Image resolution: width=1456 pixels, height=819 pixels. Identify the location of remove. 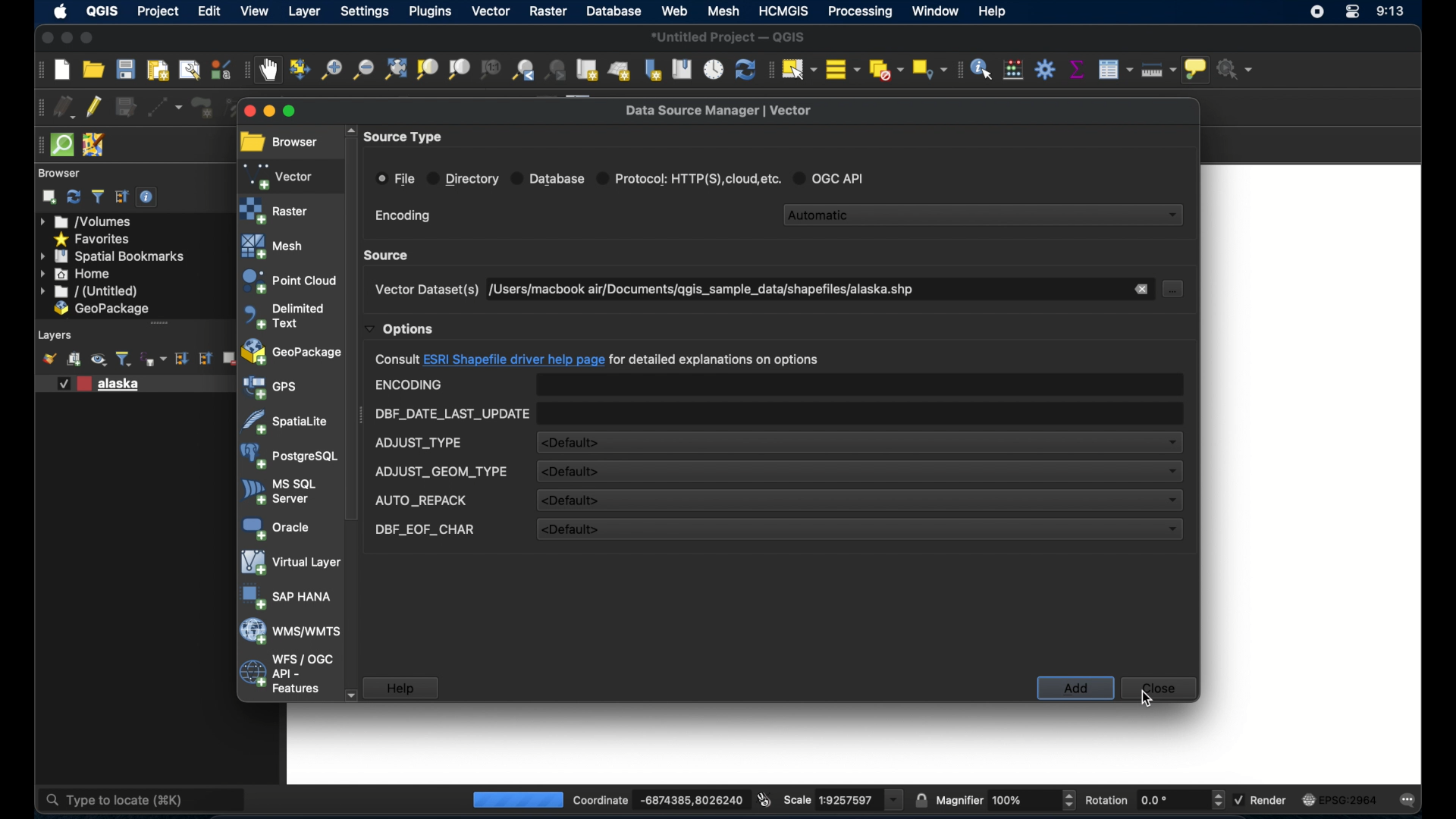
(1142, 289).